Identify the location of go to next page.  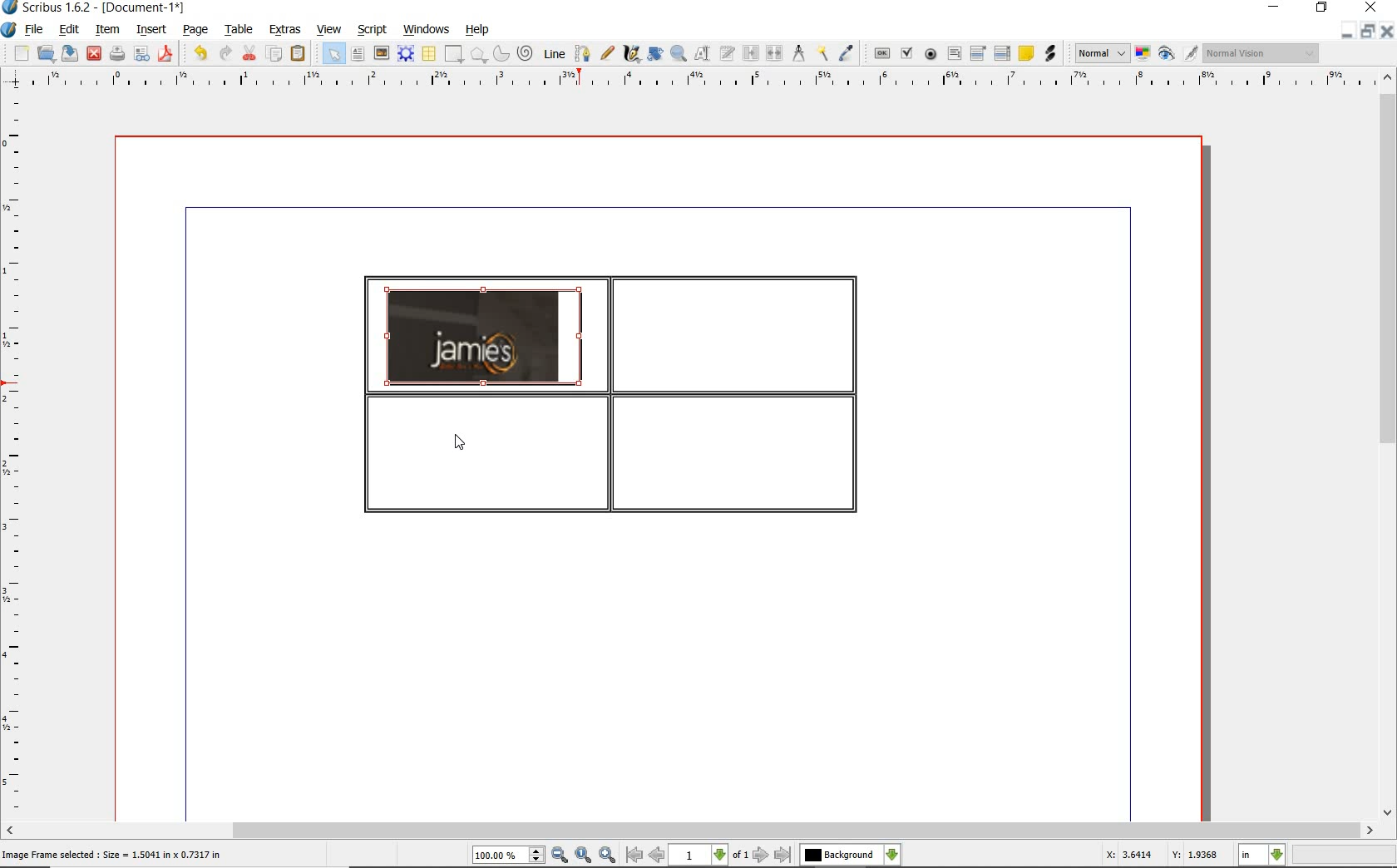
(761, 855).